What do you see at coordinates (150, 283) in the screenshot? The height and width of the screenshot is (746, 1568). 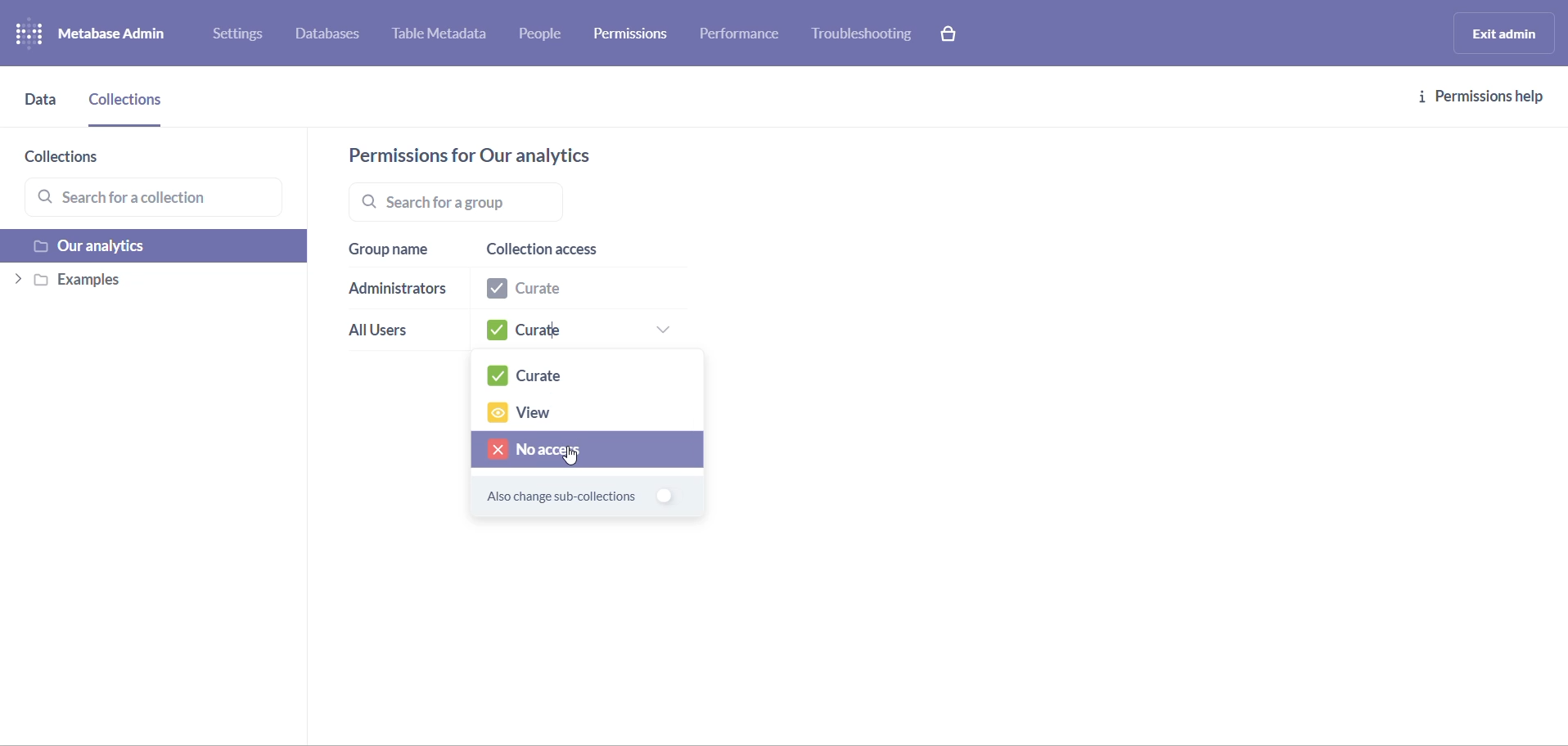 I see `examples` at bounding box center [150, 283].